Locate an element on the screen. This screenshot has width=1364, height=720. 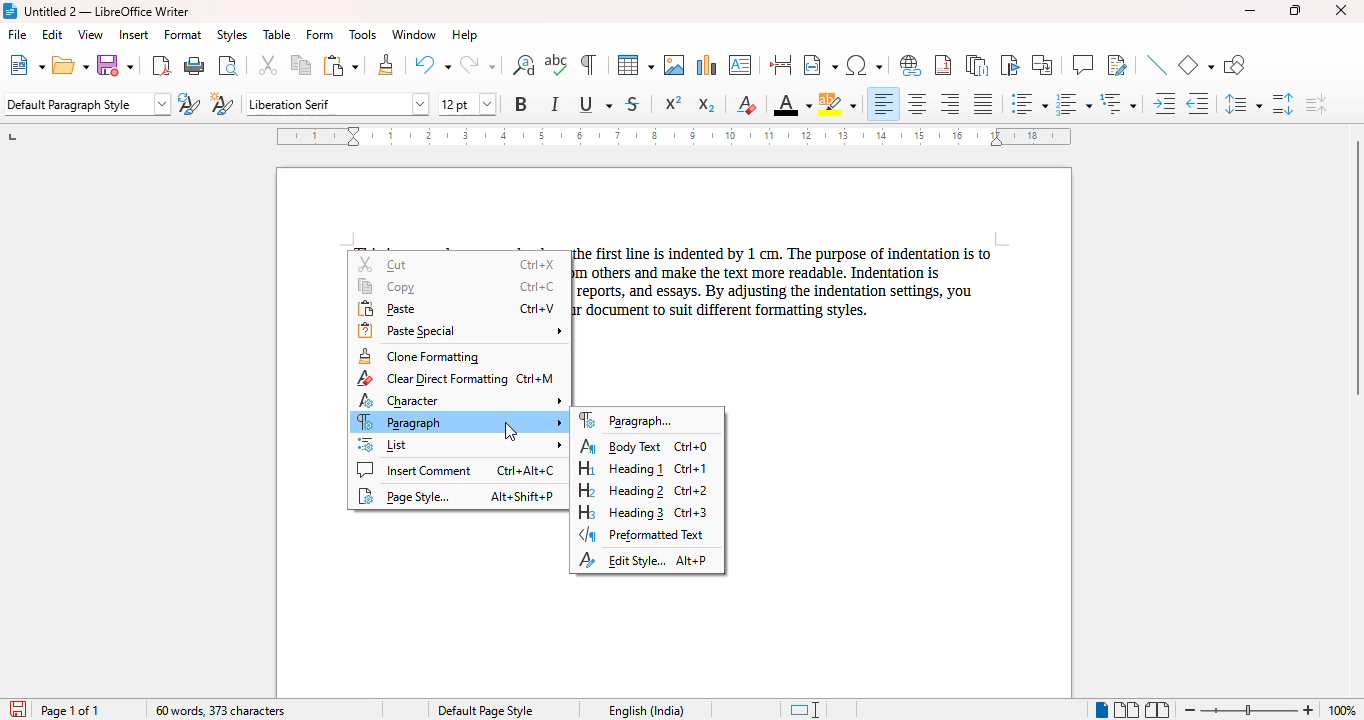
zoom factor is located at coordinates (1342, 710).